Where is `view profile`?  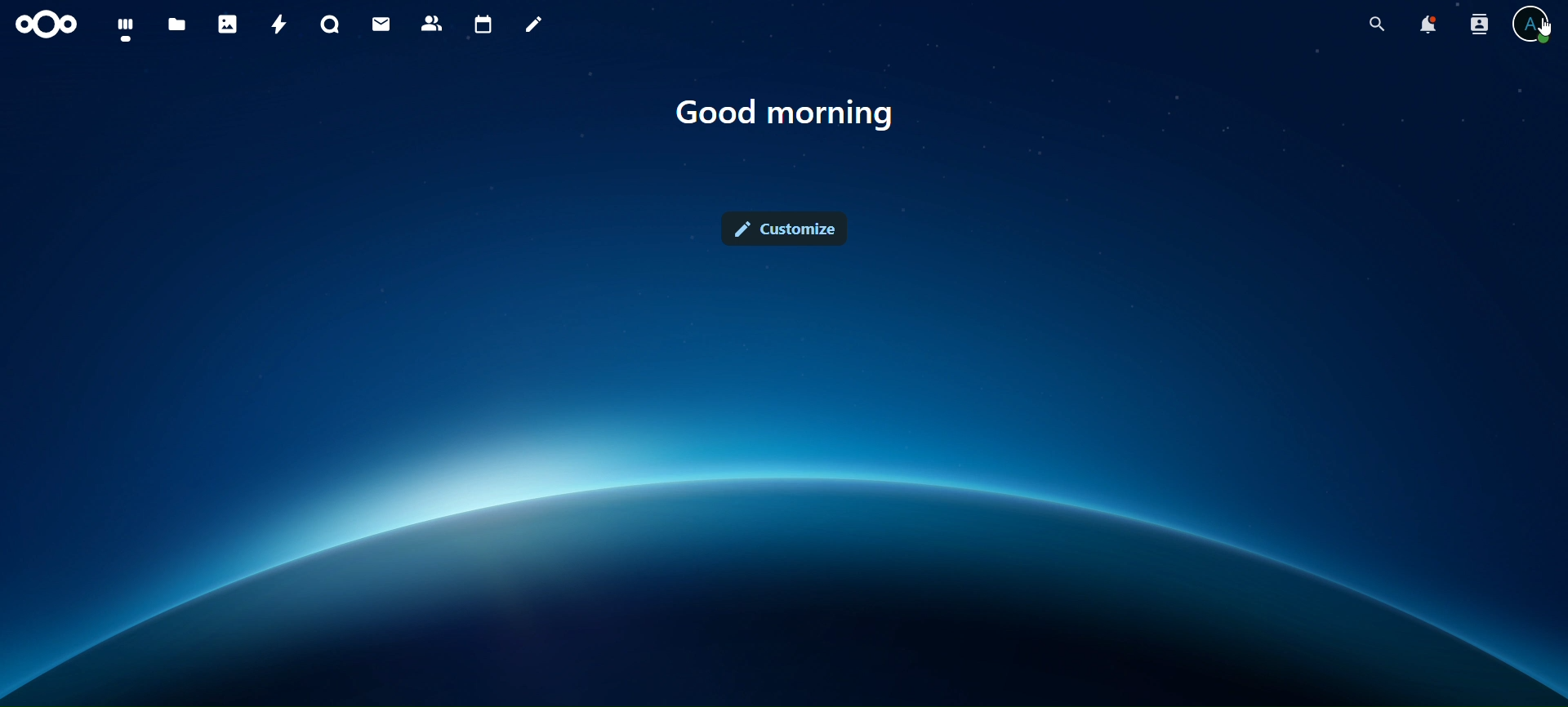
view profile is located at coordinates (1535, 24).